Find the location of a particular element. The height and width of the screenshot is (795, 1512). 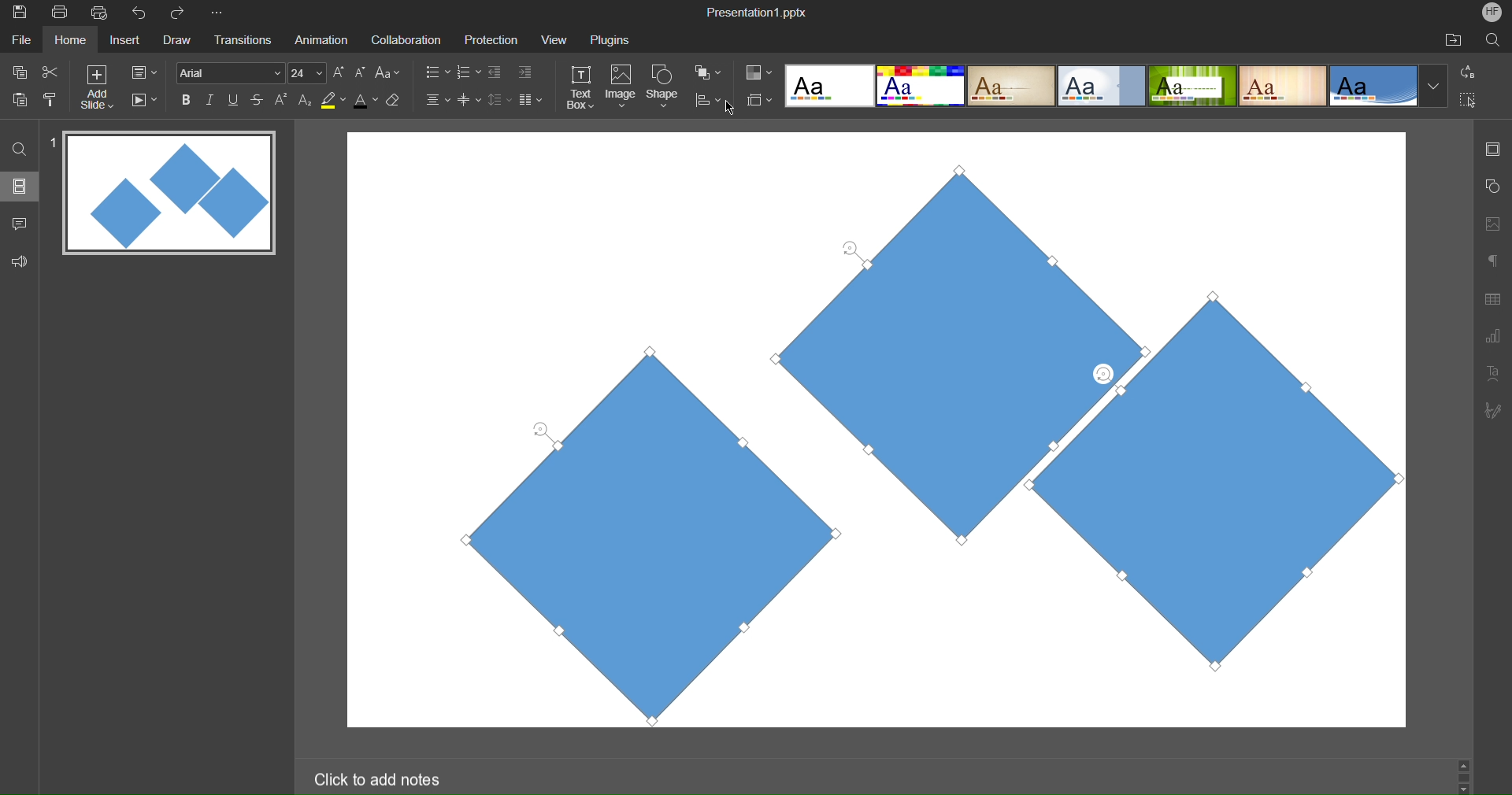

Collaboration is located at coordinates (403, 40).